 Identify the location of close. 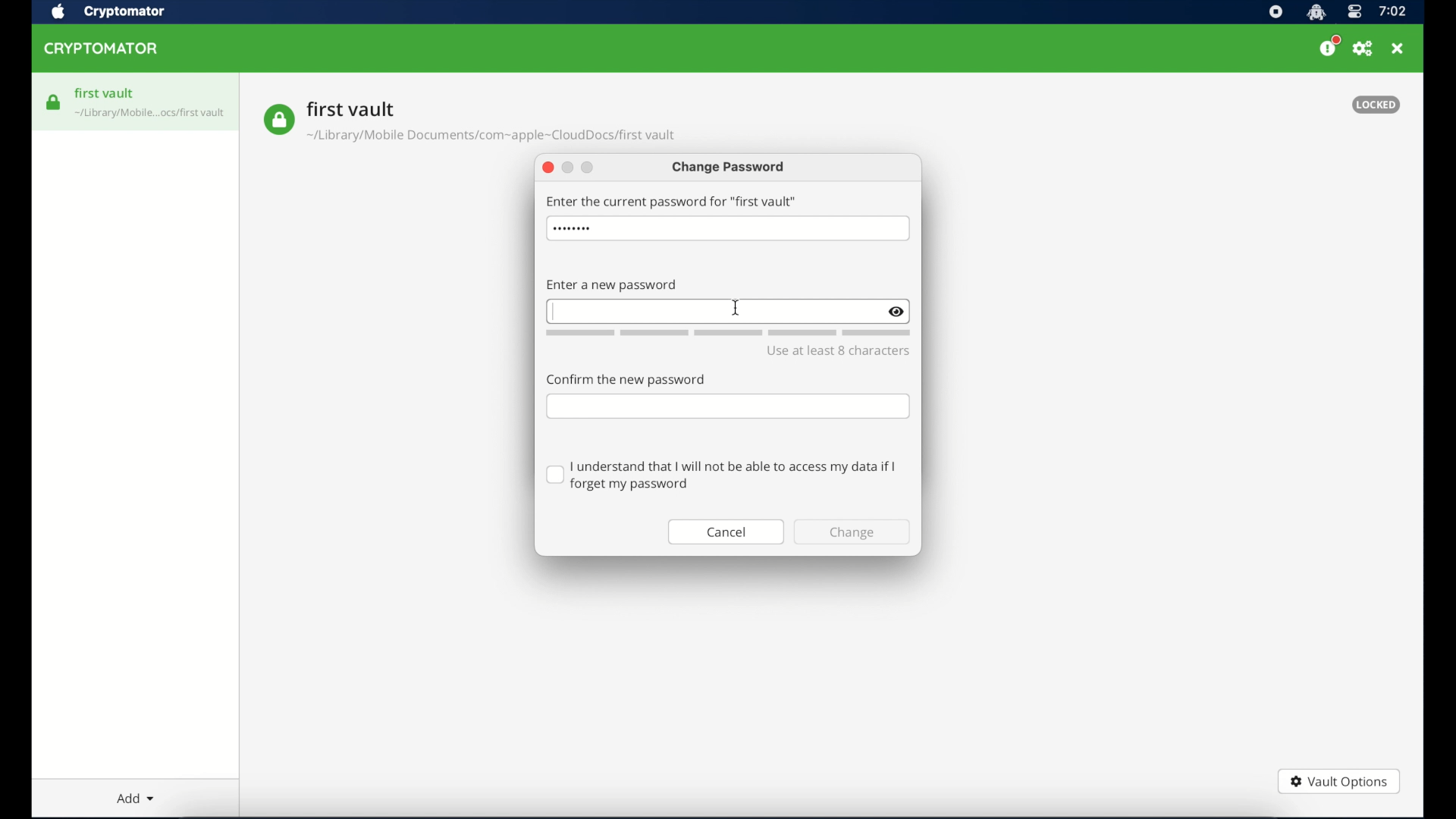
(1398, 49).